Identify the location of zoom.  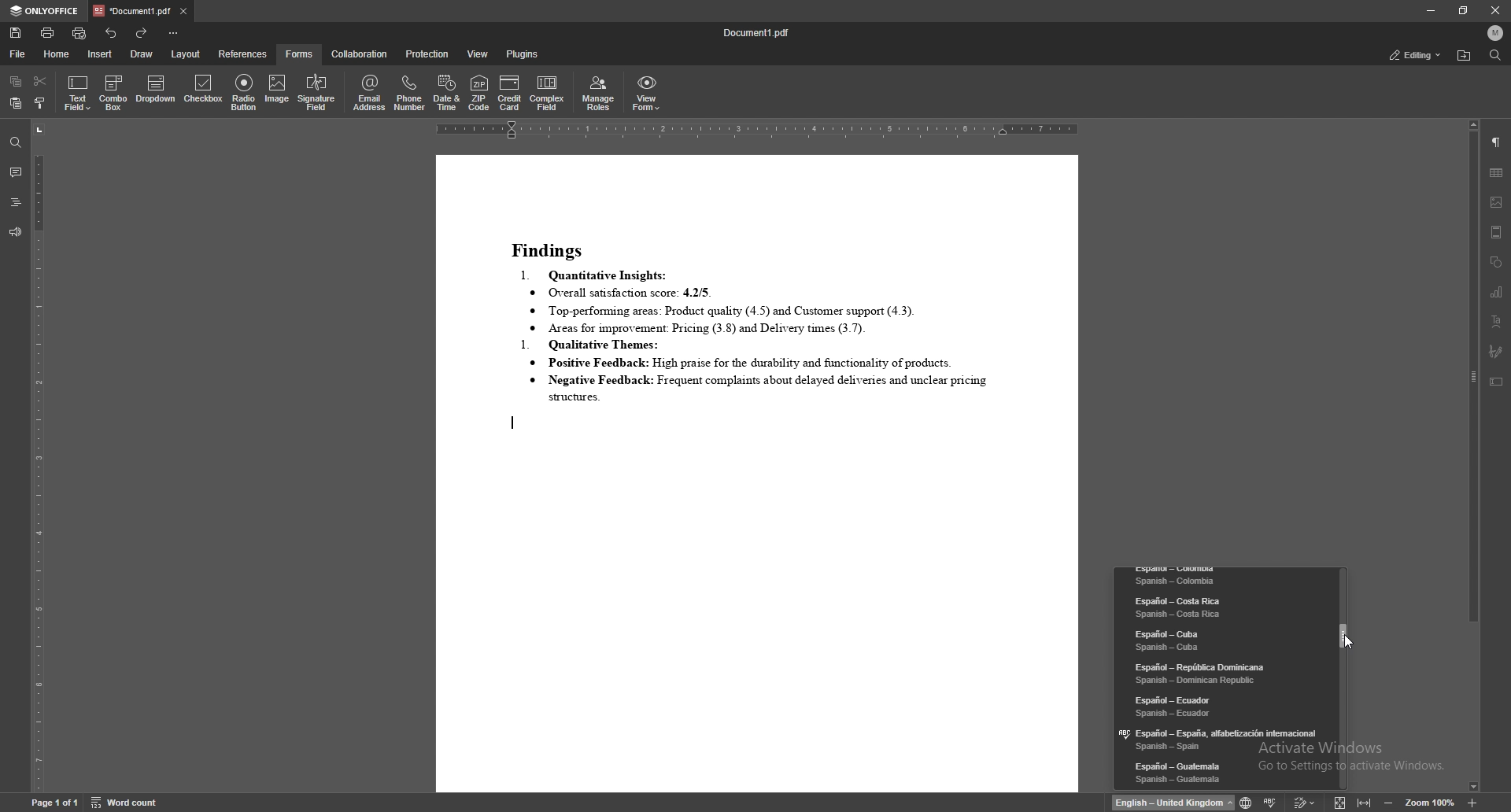
(1431, 802).